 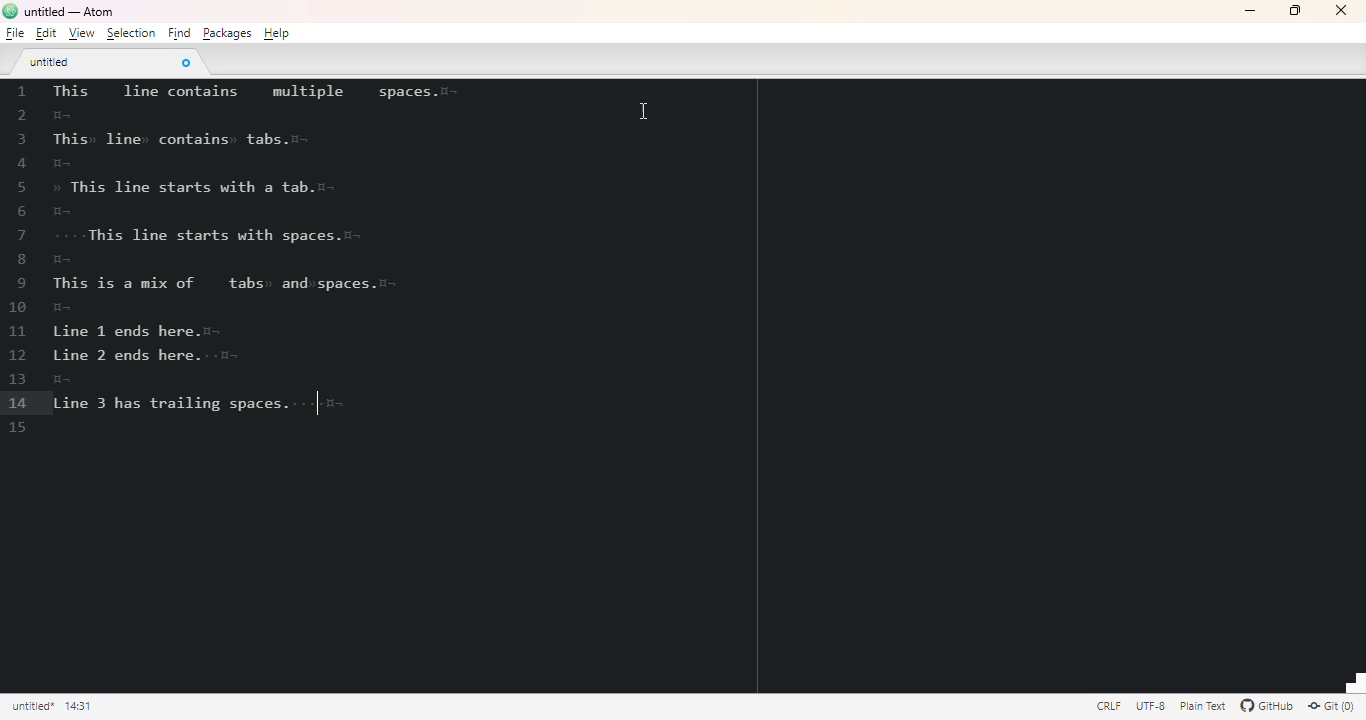 I want to click on title, so click(x=69, y=12).